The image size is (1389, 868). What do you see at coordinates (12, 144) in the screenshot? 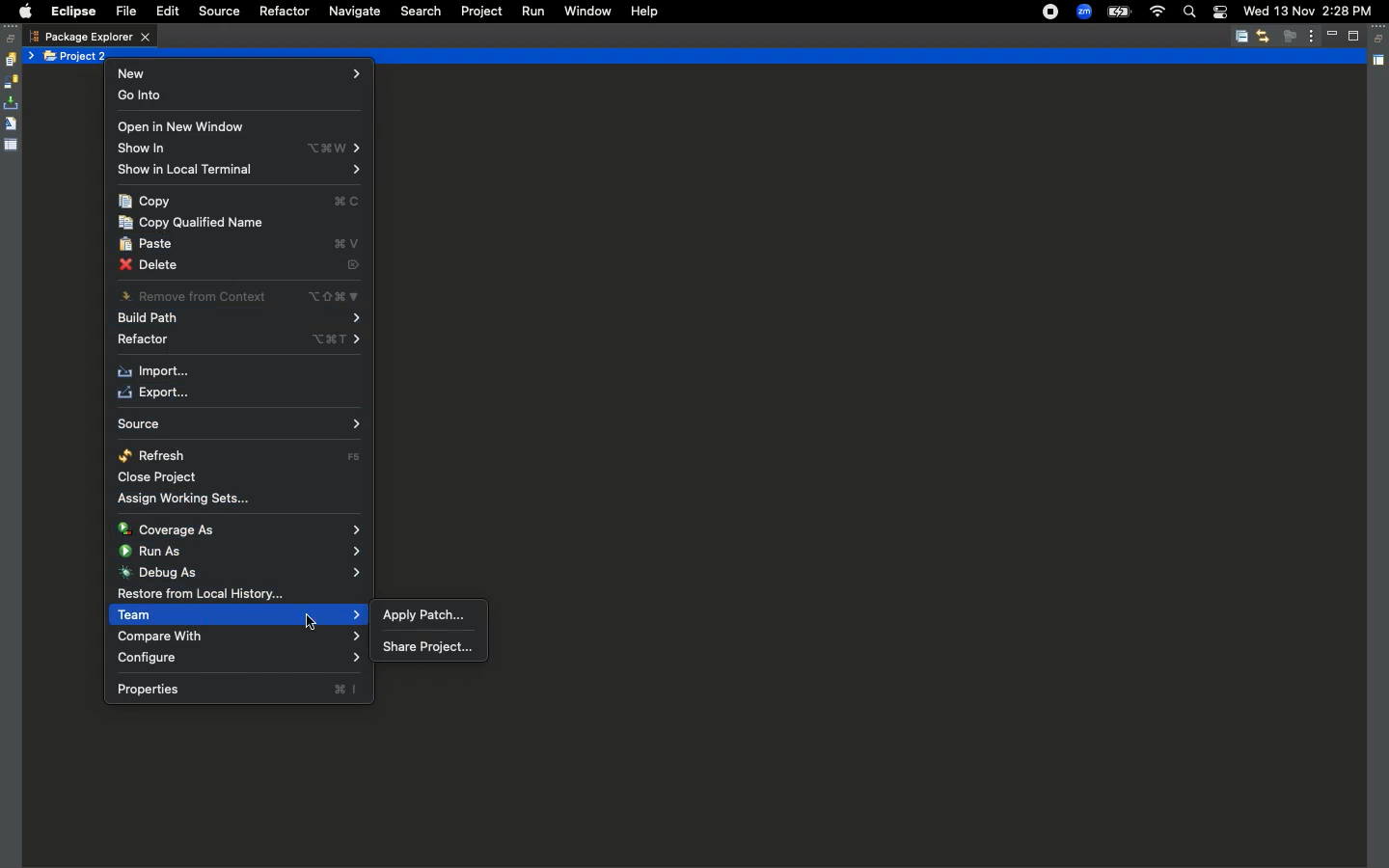
I see `Properties` at bounding box center [12, 144].